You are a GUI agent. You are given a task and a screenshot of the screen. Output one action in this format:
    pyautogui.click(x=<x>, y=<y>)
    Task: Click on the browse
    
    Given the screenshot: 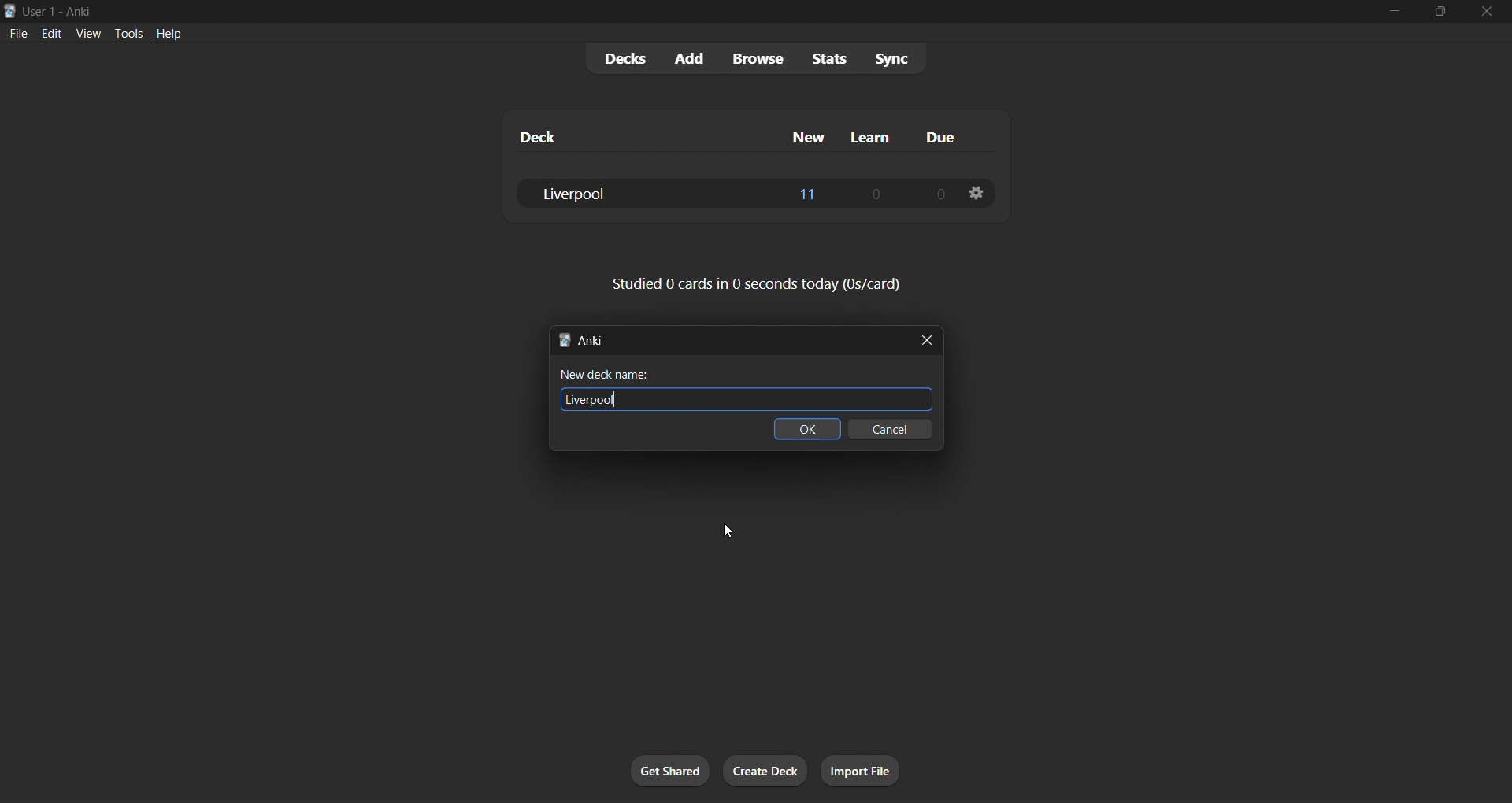 What is the action you would take?
    pyautogui.click(x=754, y=56)
    